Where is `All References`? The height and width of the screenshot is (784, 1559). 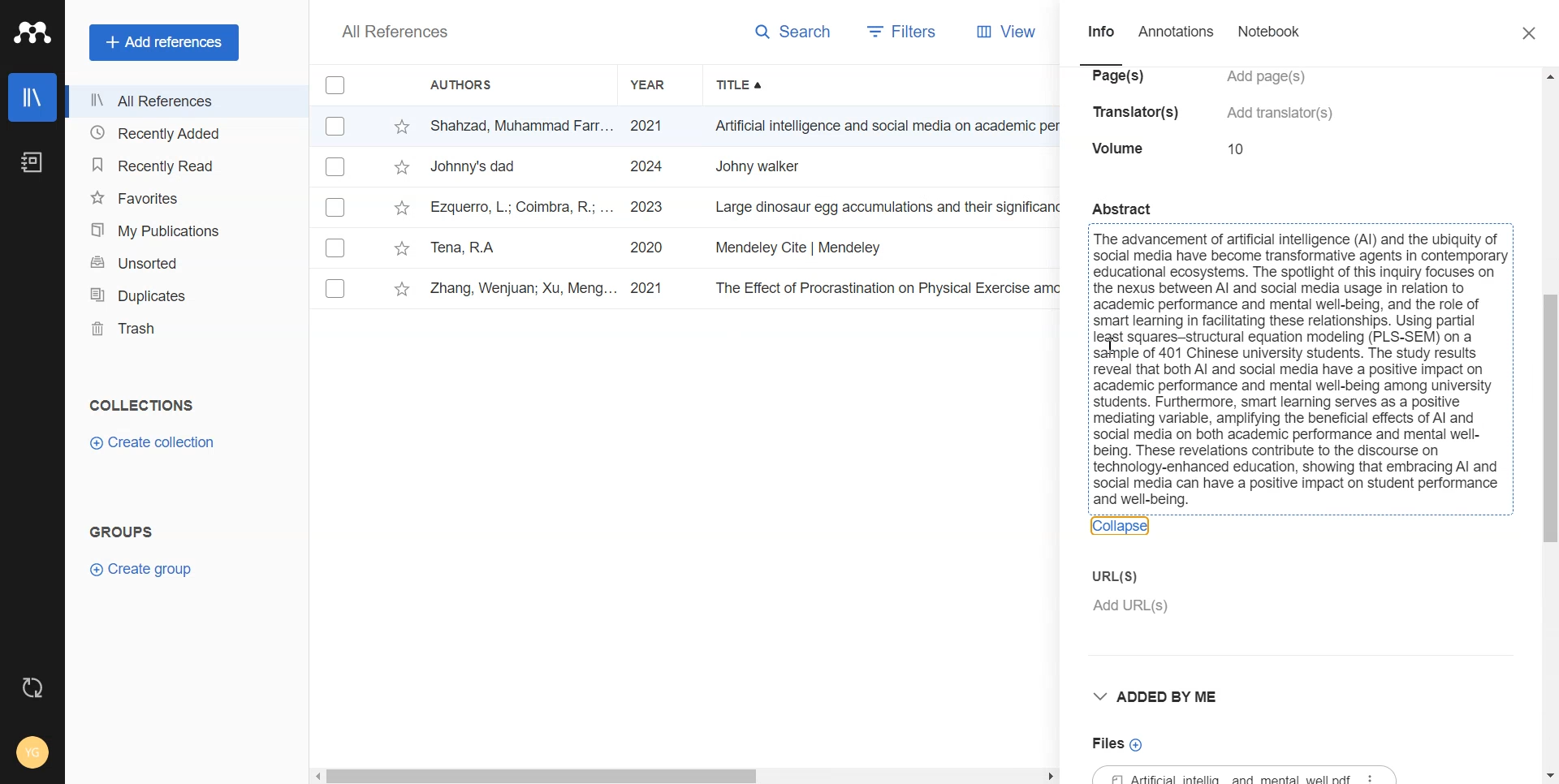
All References is located at coordinates (173, 101).